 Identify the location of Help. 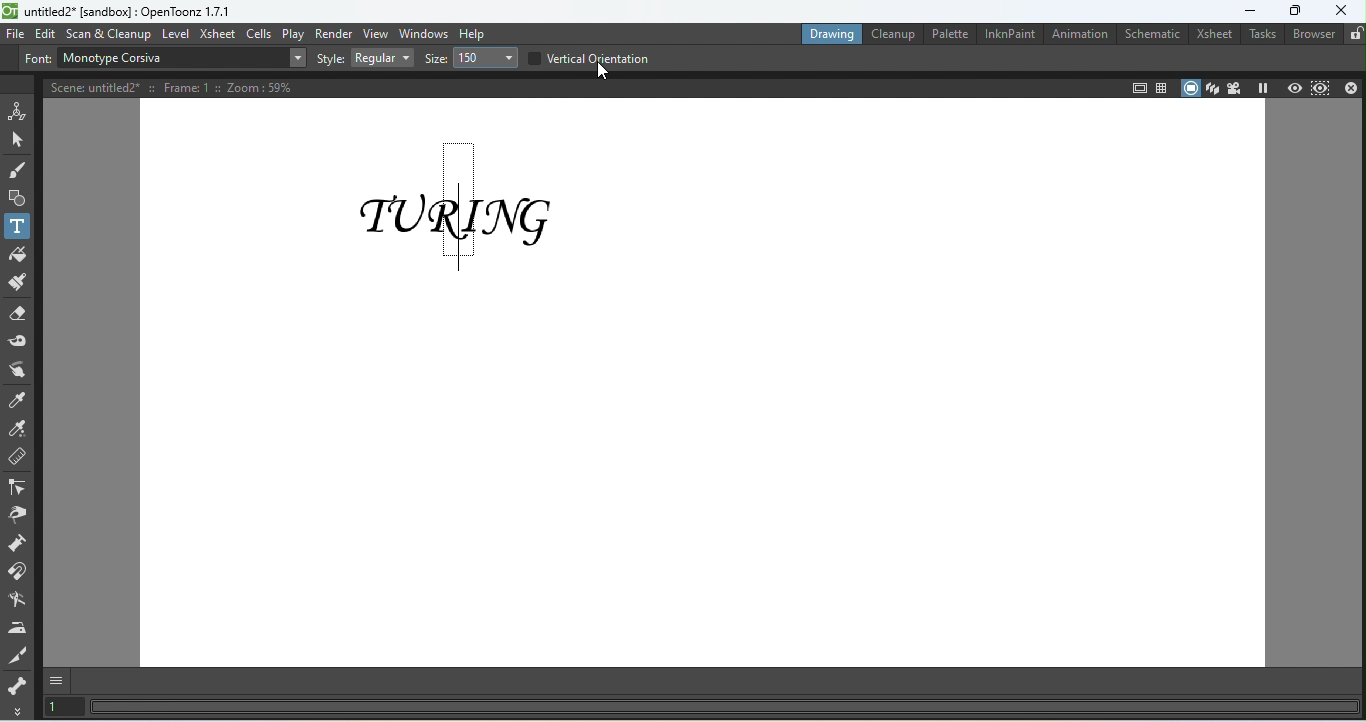
(475, 32).